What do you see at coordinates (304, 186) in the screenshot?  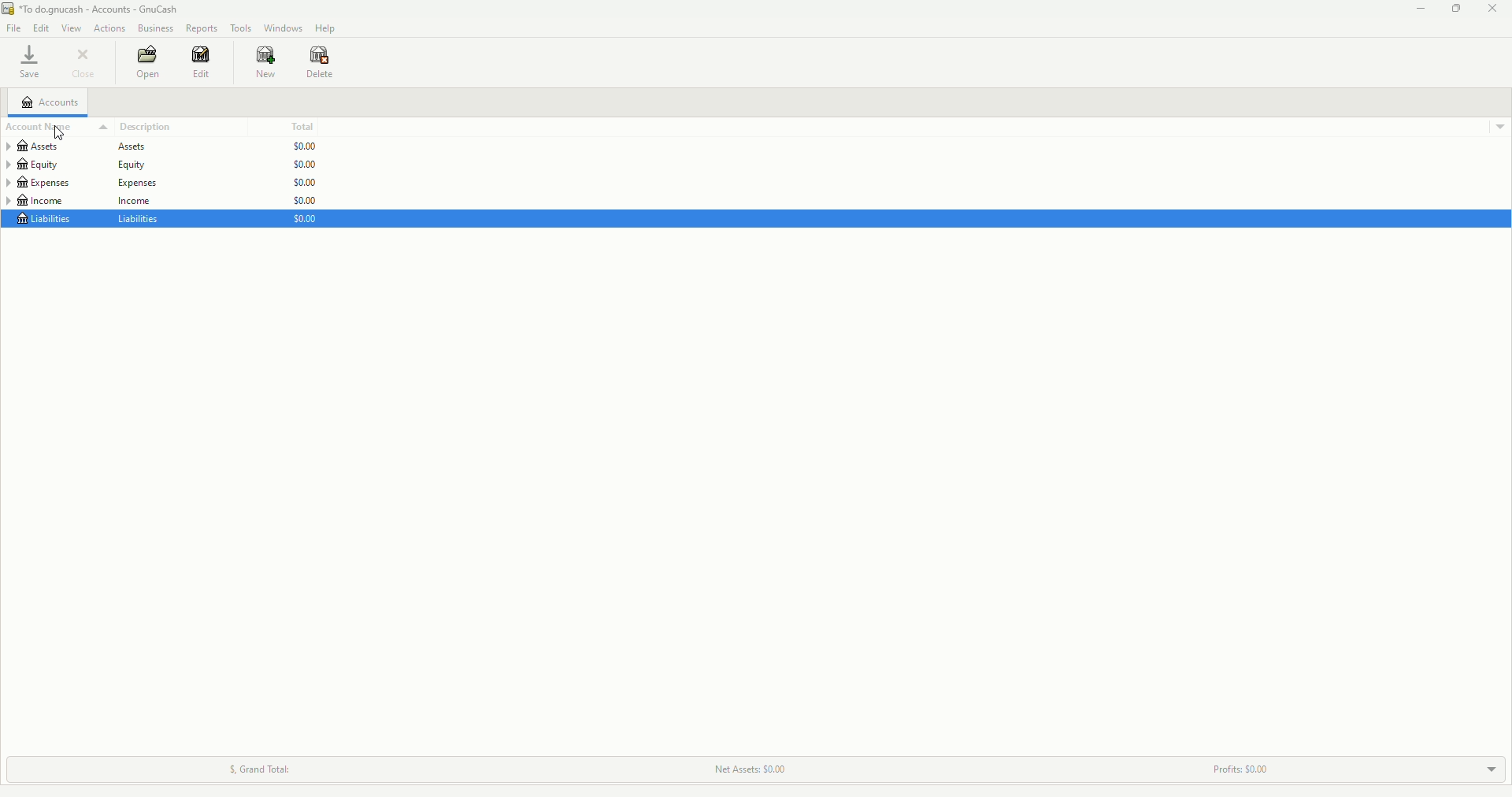 I see `$0` at bounding box center [304, 186].